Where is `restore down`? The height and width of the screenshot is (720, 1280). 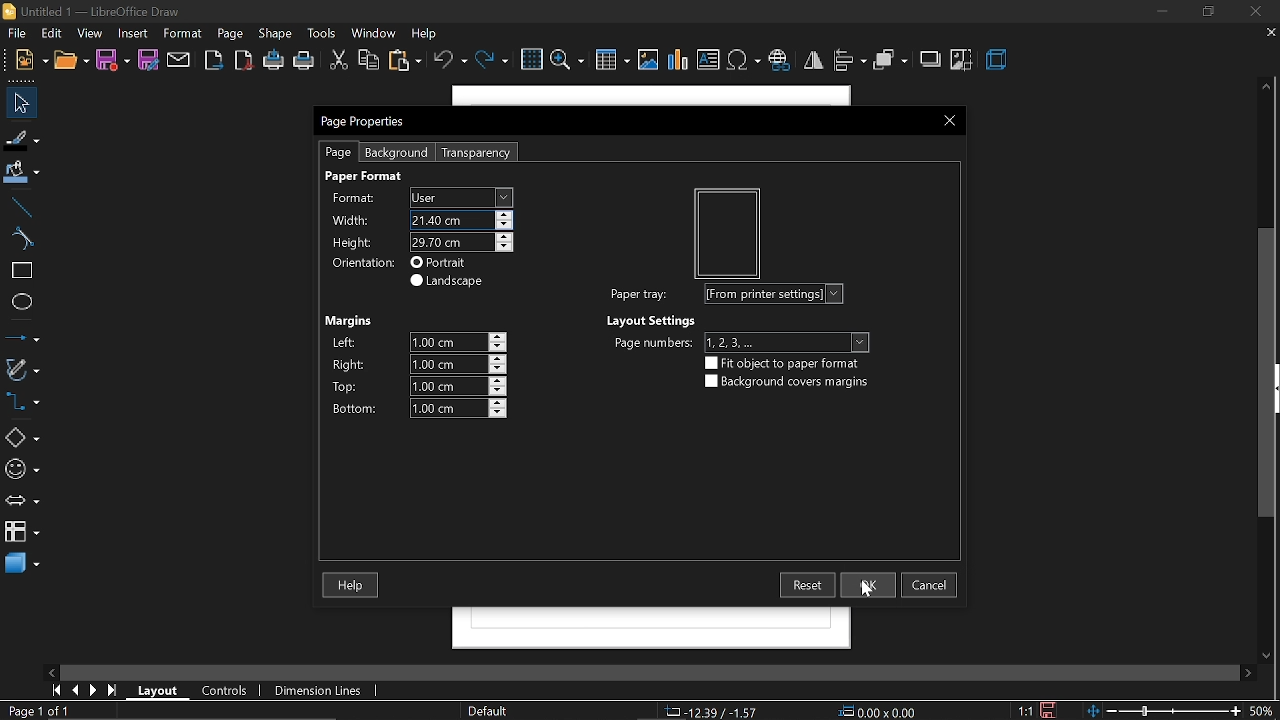 restore down is located at coordinates (1204, 12).